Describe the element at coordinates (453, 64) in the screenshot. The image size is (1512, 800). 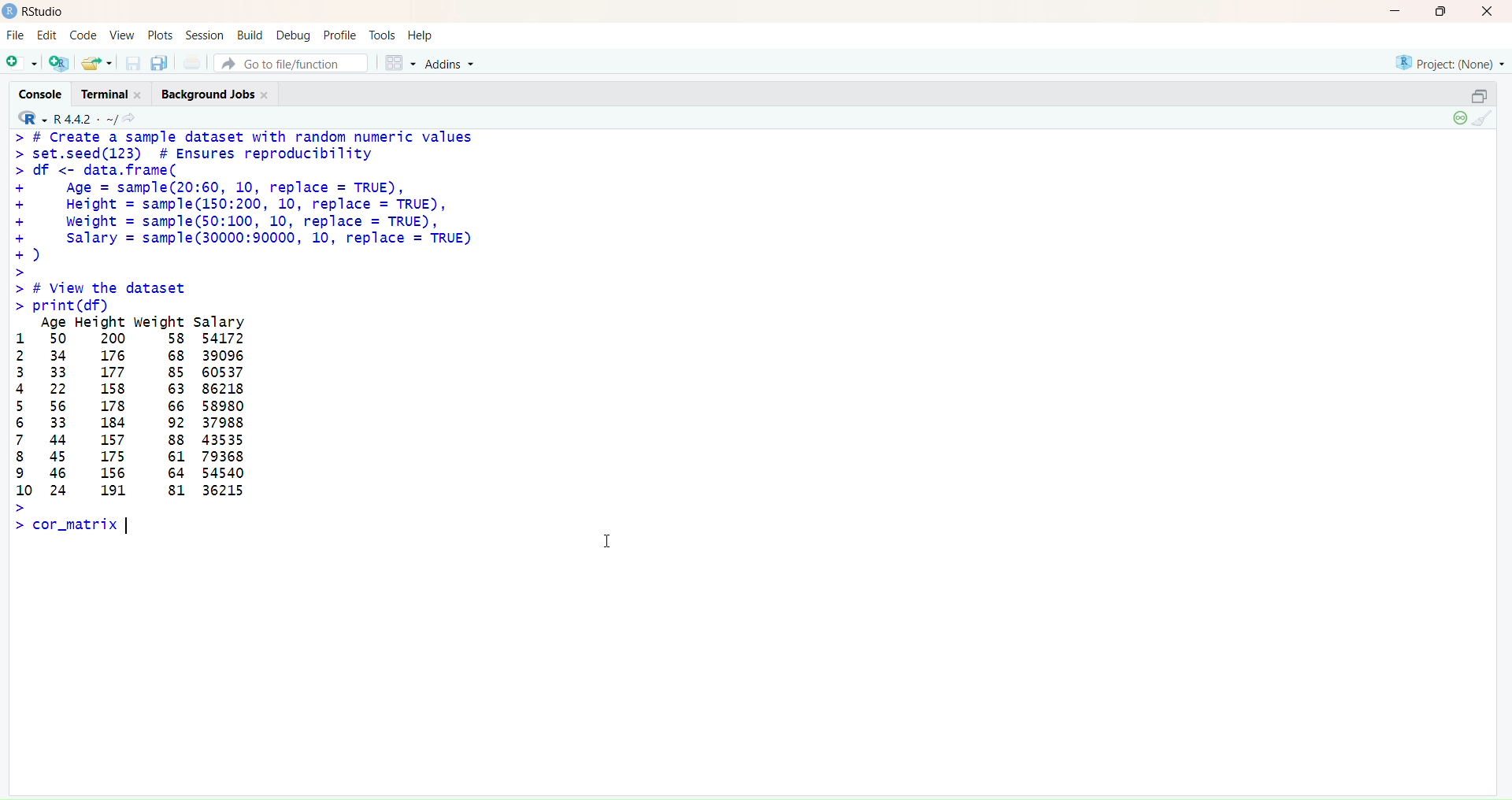
I see `Addons` at that location.